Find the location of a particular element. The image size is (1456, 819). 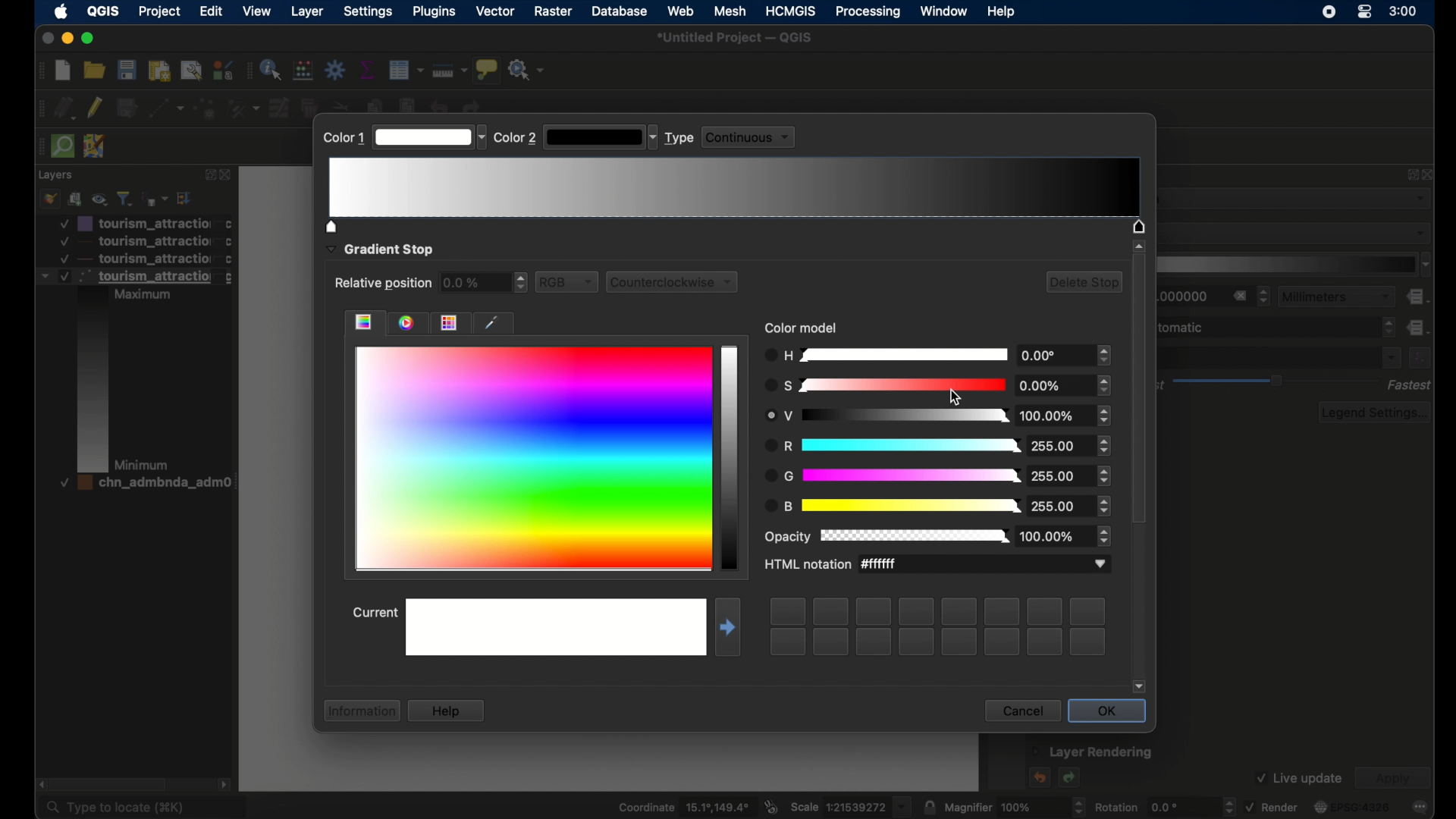

manage map theme is located at coordinates (100, 199).